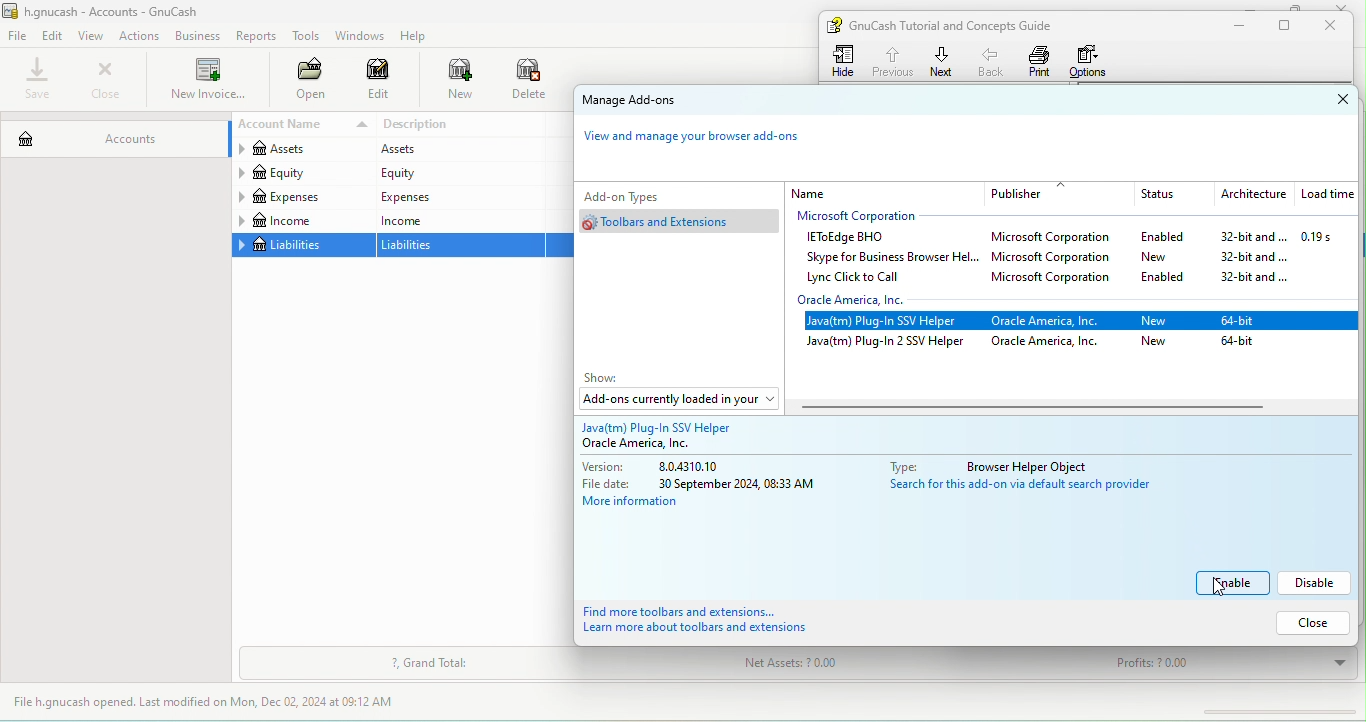 The width and height of the screenshot is (1366, 722). Describe the element at coordinates (651, 102) in the screenshot. I see `manage add ons ` at that location.